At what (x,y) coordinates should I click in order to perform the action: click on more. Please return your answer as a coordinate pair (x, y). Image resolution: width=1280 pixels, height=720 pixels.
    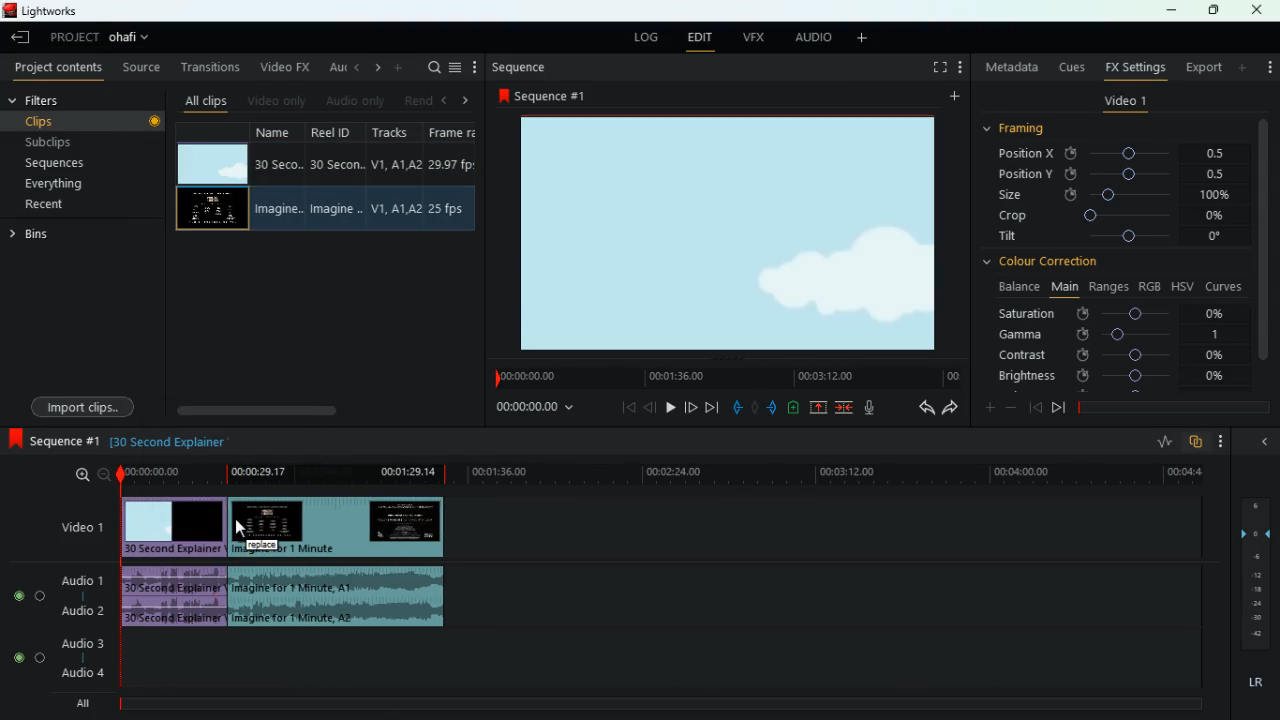
    Looking at the image, I should click on (963, 69).